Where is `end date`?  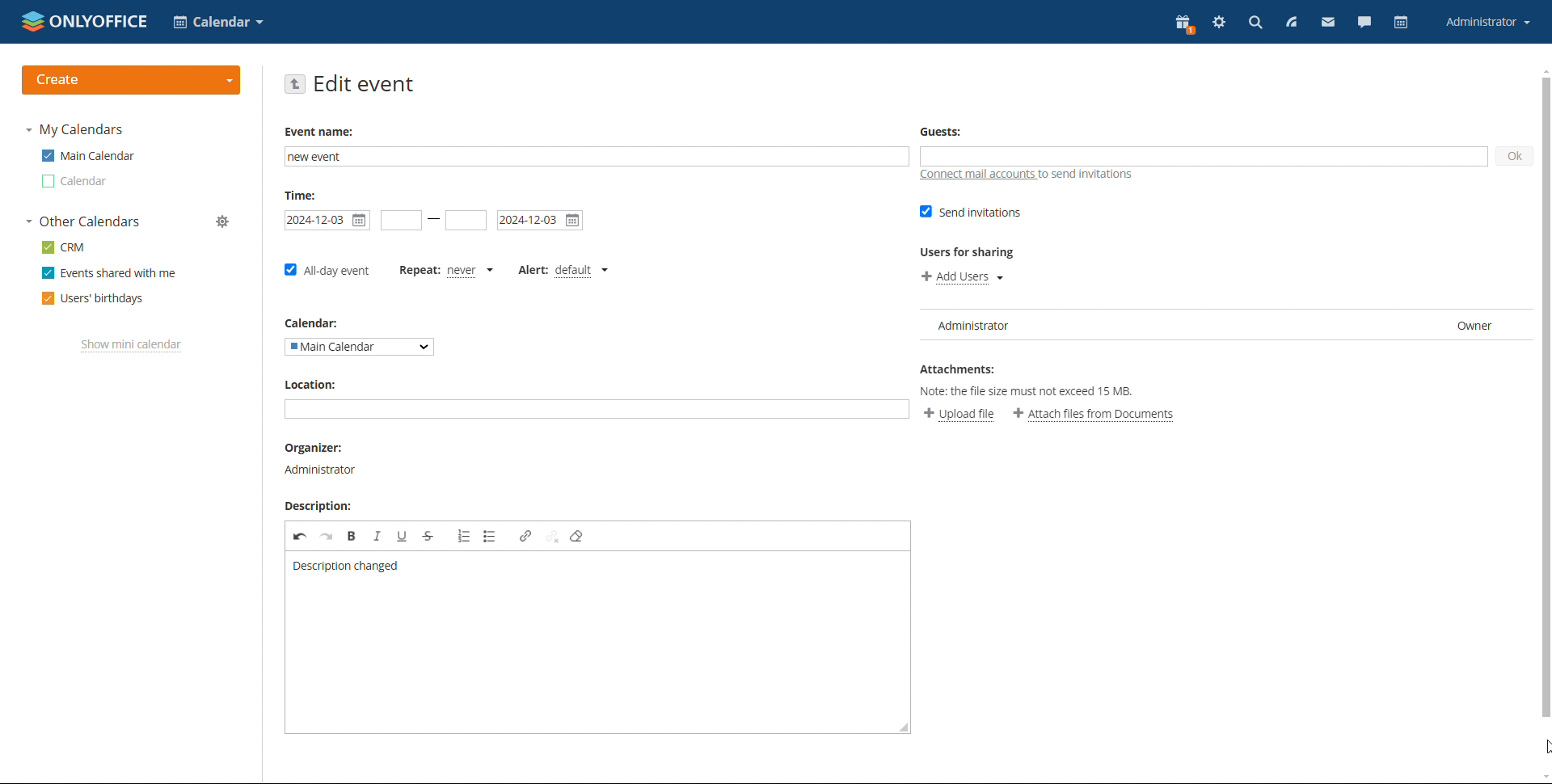 end date is located at coordinates (540, 221).